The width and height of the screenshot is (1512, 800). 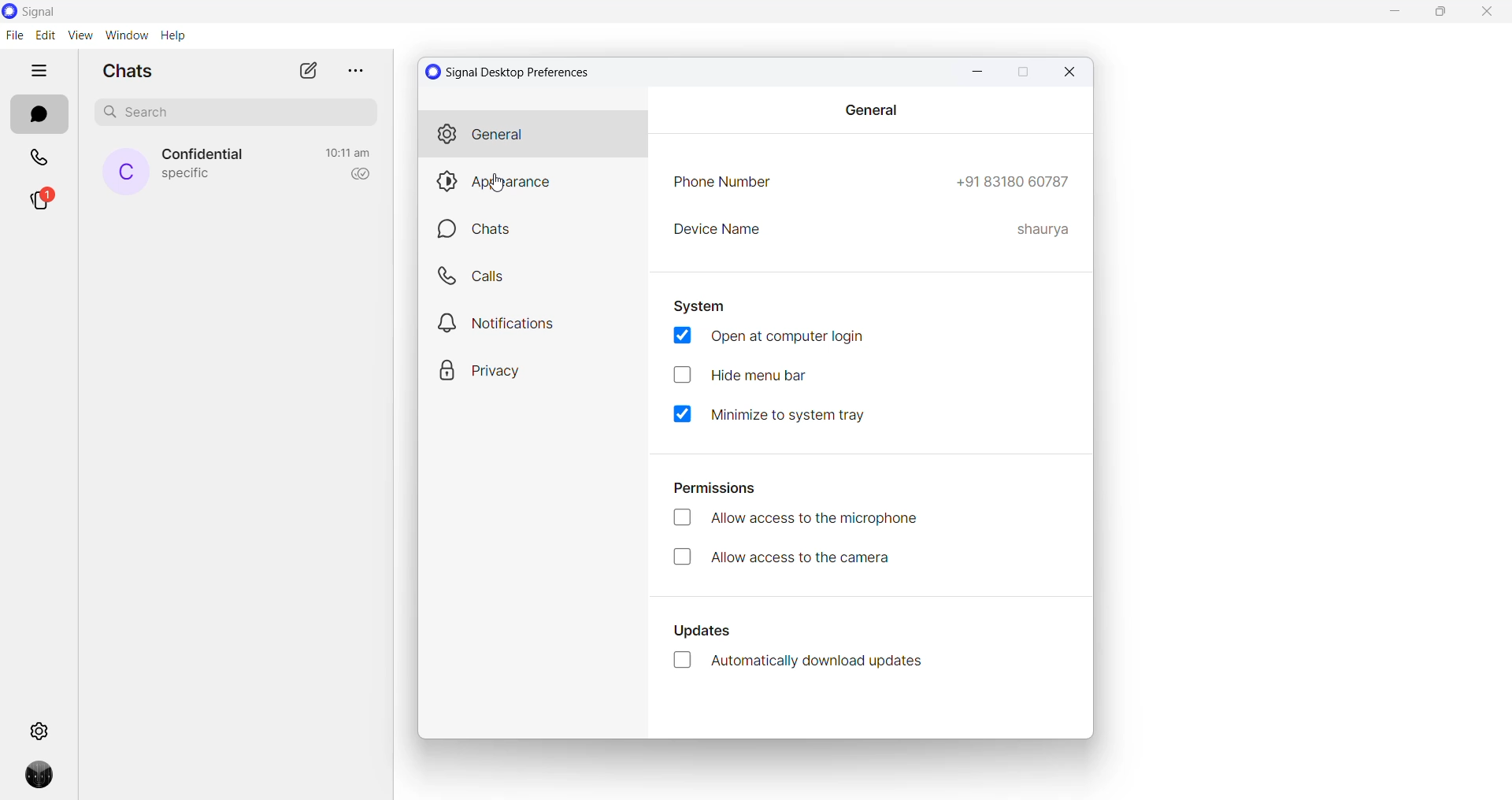 What do you see at coordinates (1042, 232) in the screenshot?
I see `name` at bounding box center [1042, 232].